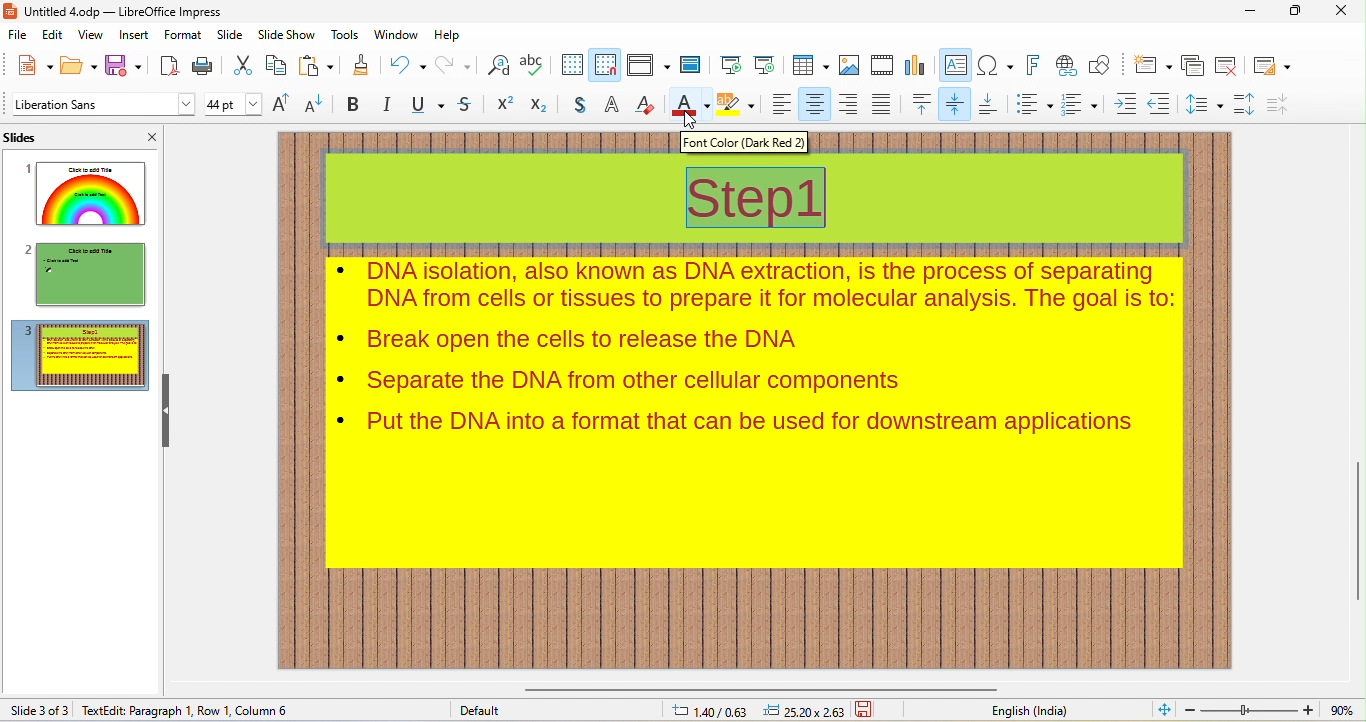  Describe the element at coordinates (1247, 105) in the screenshot. I see `increase paragraph spacing` at that location.